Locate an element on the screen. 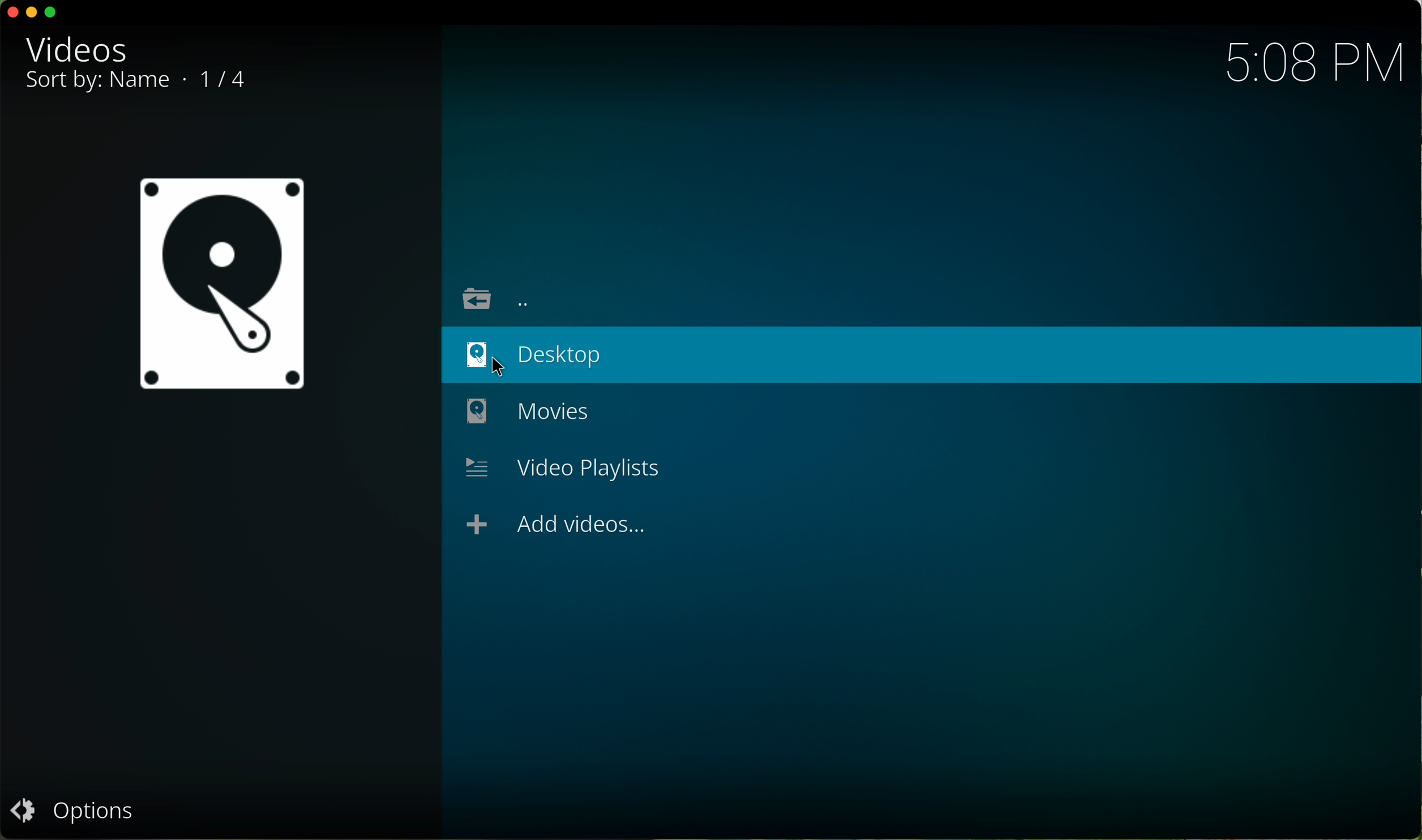 The width and height of the screenshot is (1422, 840). 5:08 PM is located at coordinates (1314, 64).